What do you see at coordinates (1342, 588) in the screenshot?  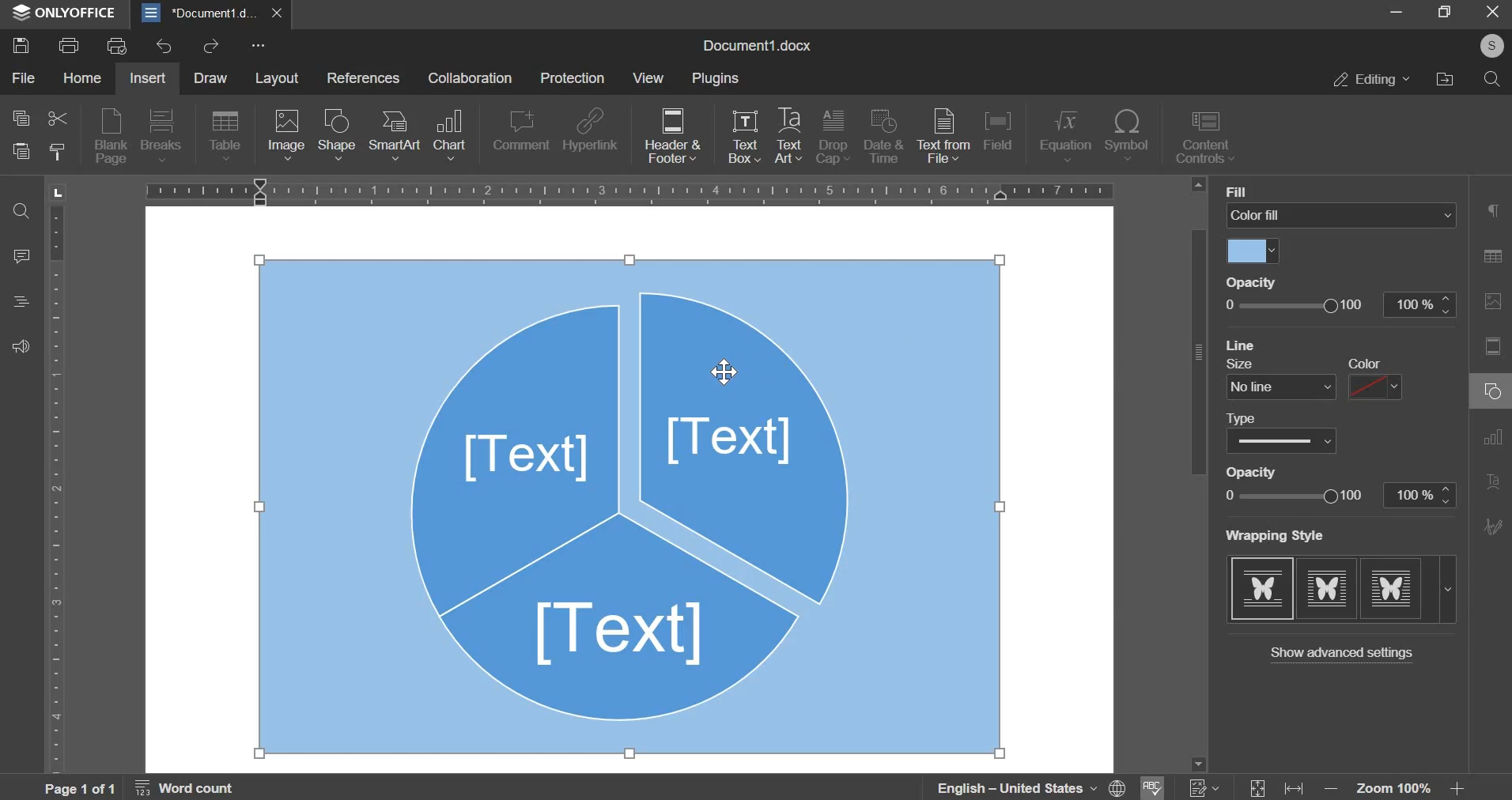 I see `wrapping style` at bounding box center [1342, 588].